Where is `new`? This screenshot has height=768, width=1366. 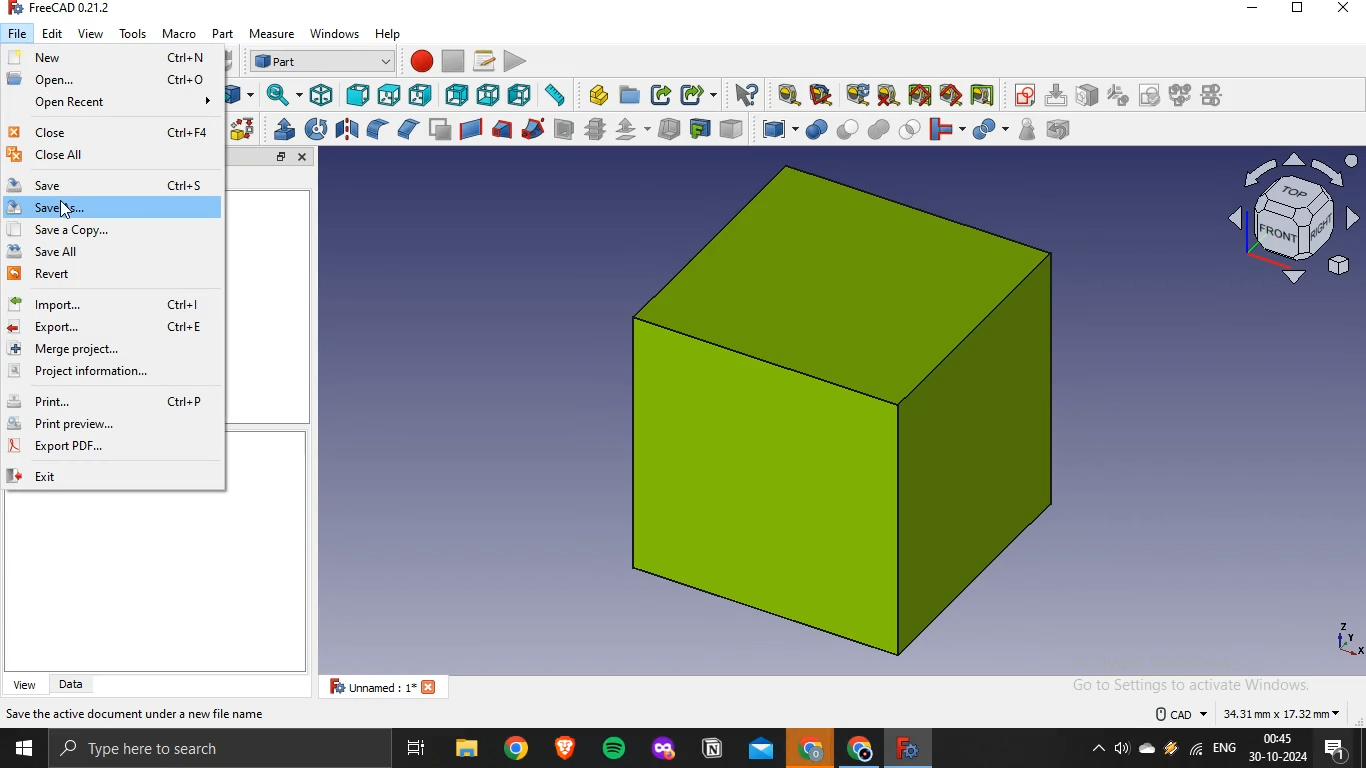
new is located at coordinates (113, 57).